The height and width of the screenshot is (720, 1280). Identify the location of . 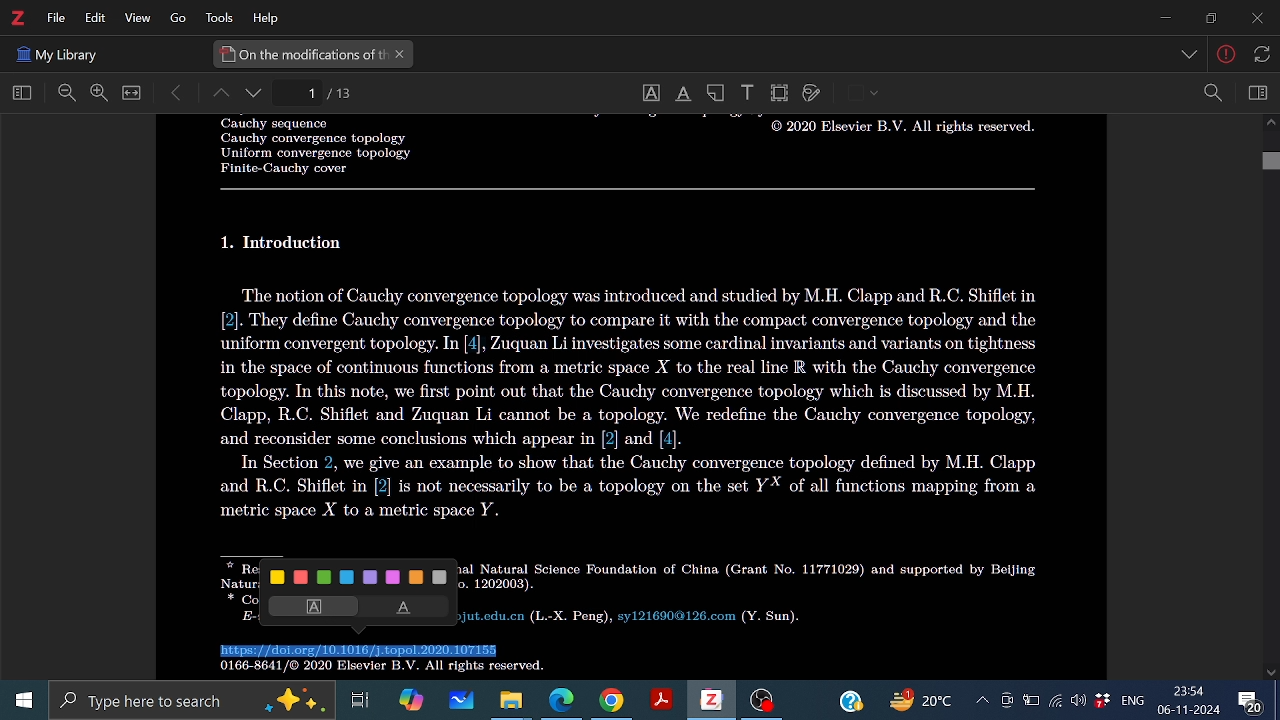
(898, 131).